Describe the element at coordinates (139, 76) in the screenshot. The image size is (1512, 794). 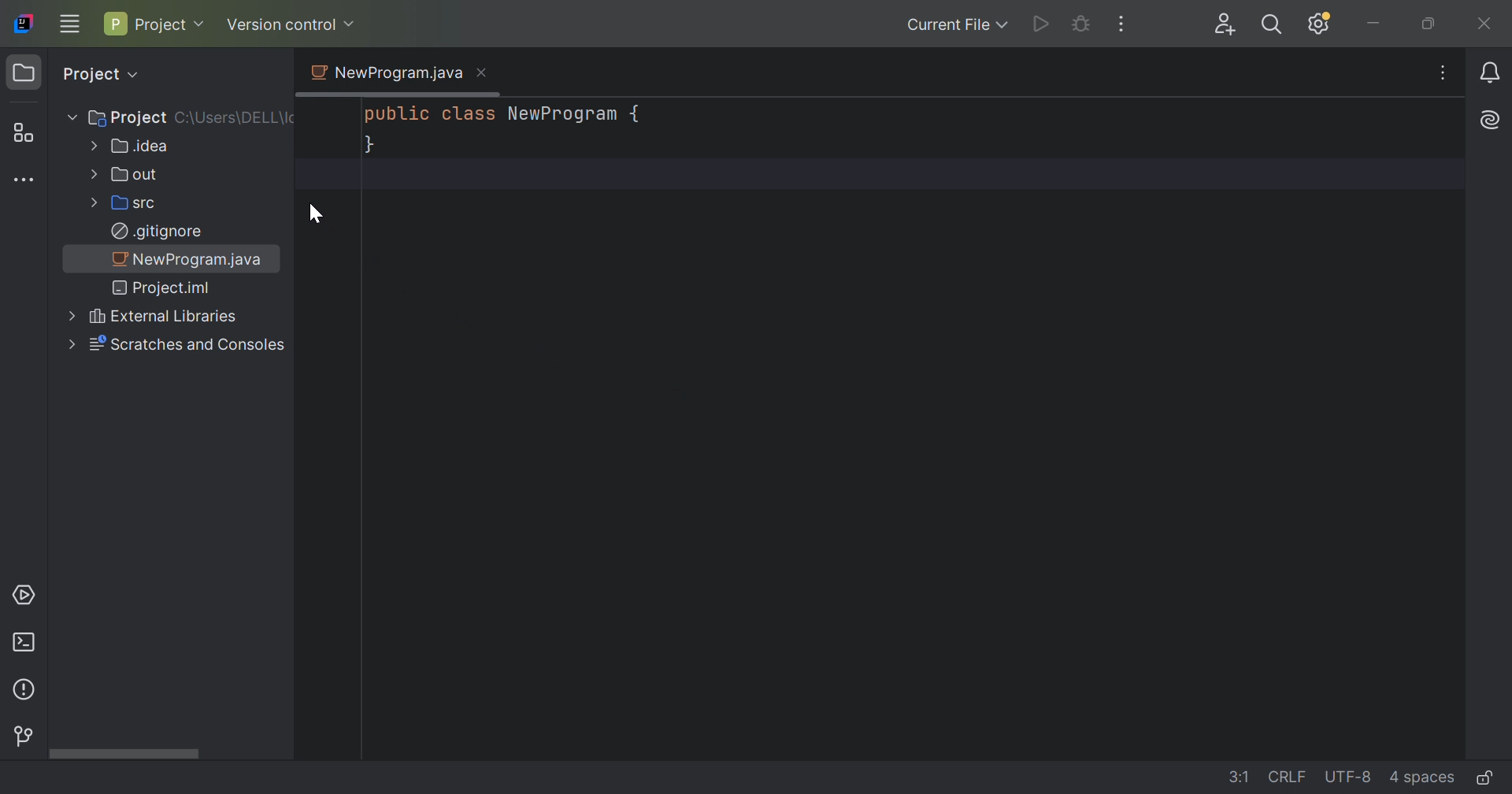
I see `Drop Down` at that location.